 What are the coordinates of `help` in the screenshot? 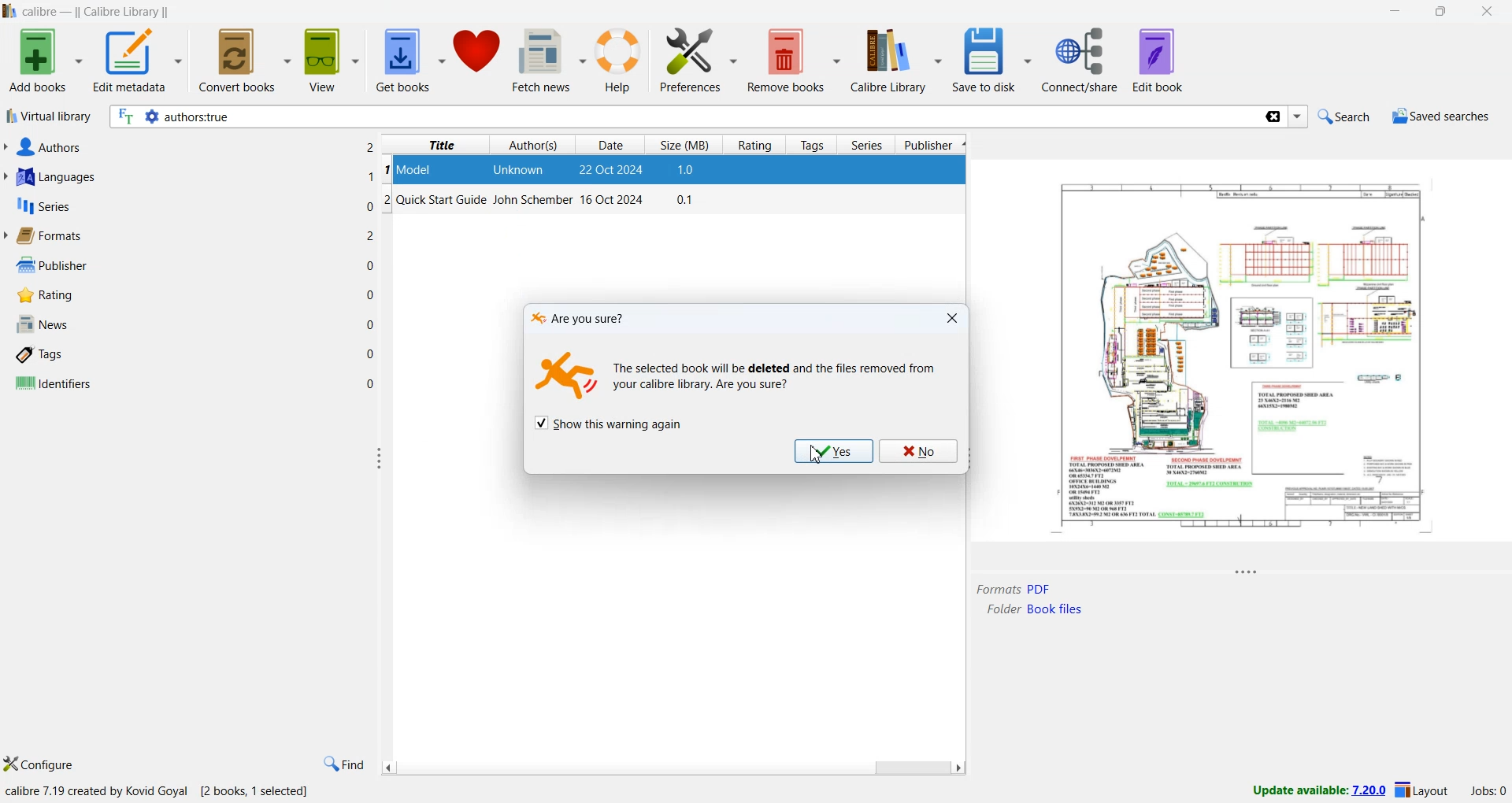 It's located at (622, 62).